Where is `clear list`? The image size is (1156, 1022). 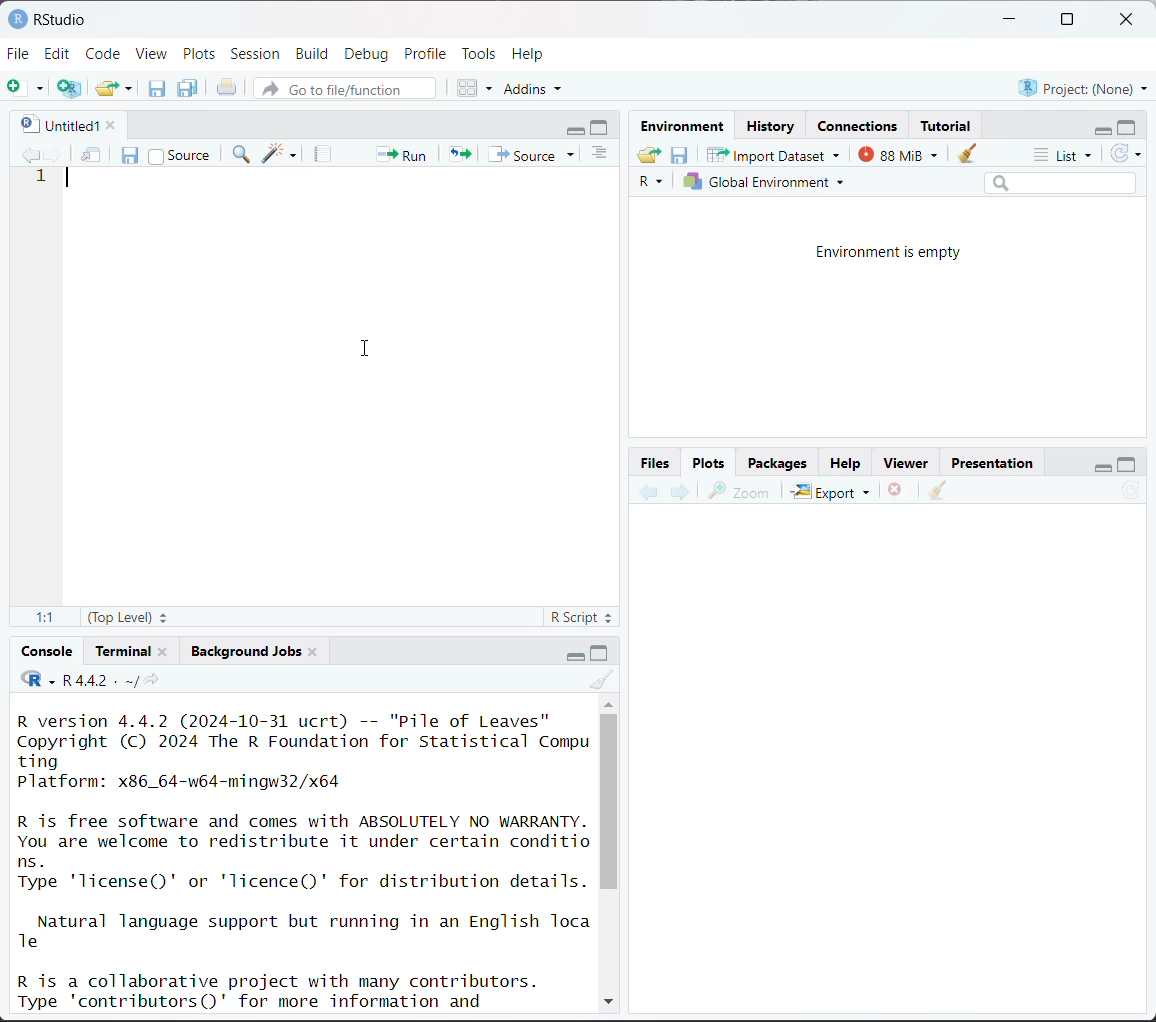
clear list is located at coordinates (131, 88).